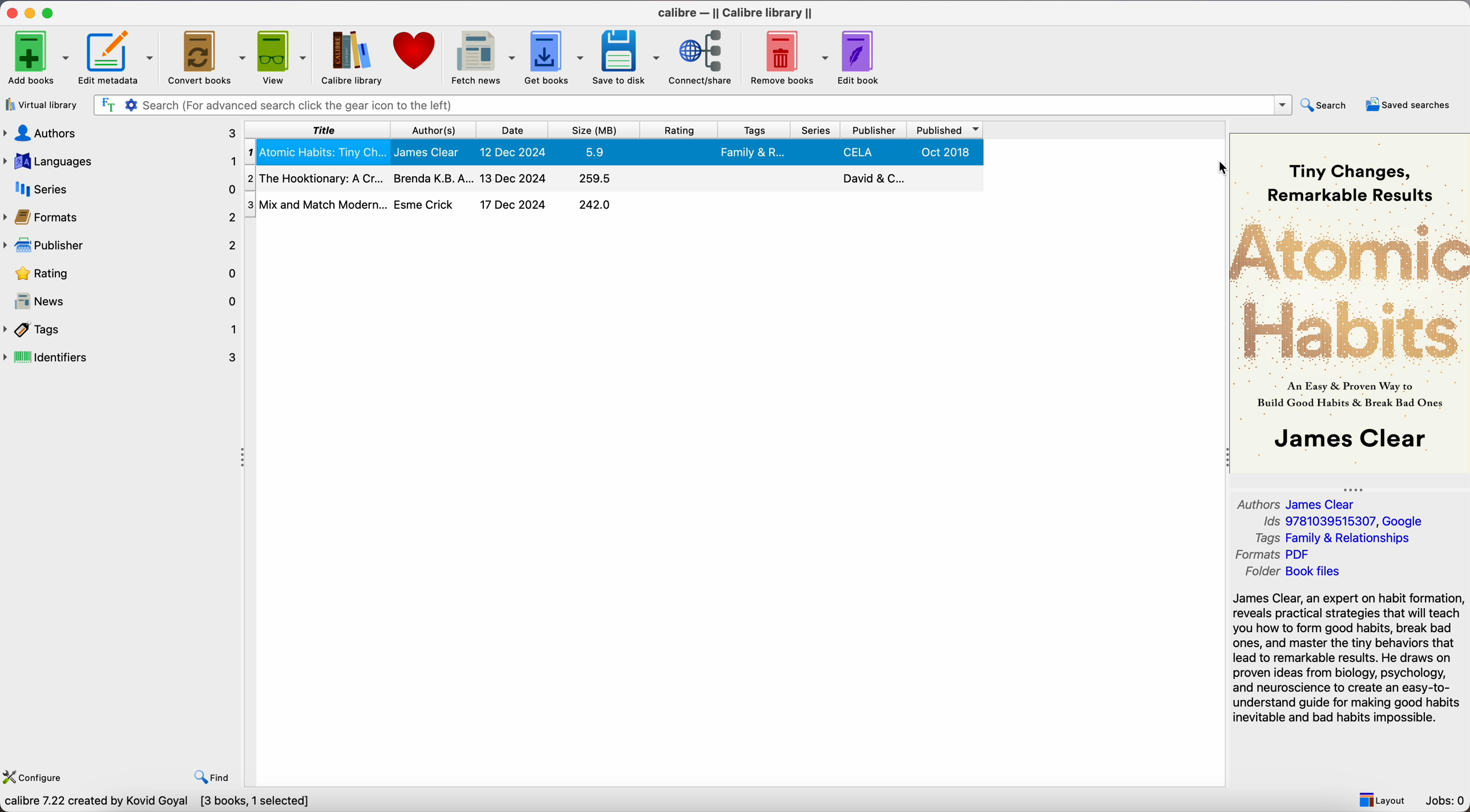 The width and height of the screenshot is (1470, 812). What do you see at coordinates (318, 152) in the screenshot?
I see `Atomic Habits: Tiny Ch...` at bounding box center [318, 152].